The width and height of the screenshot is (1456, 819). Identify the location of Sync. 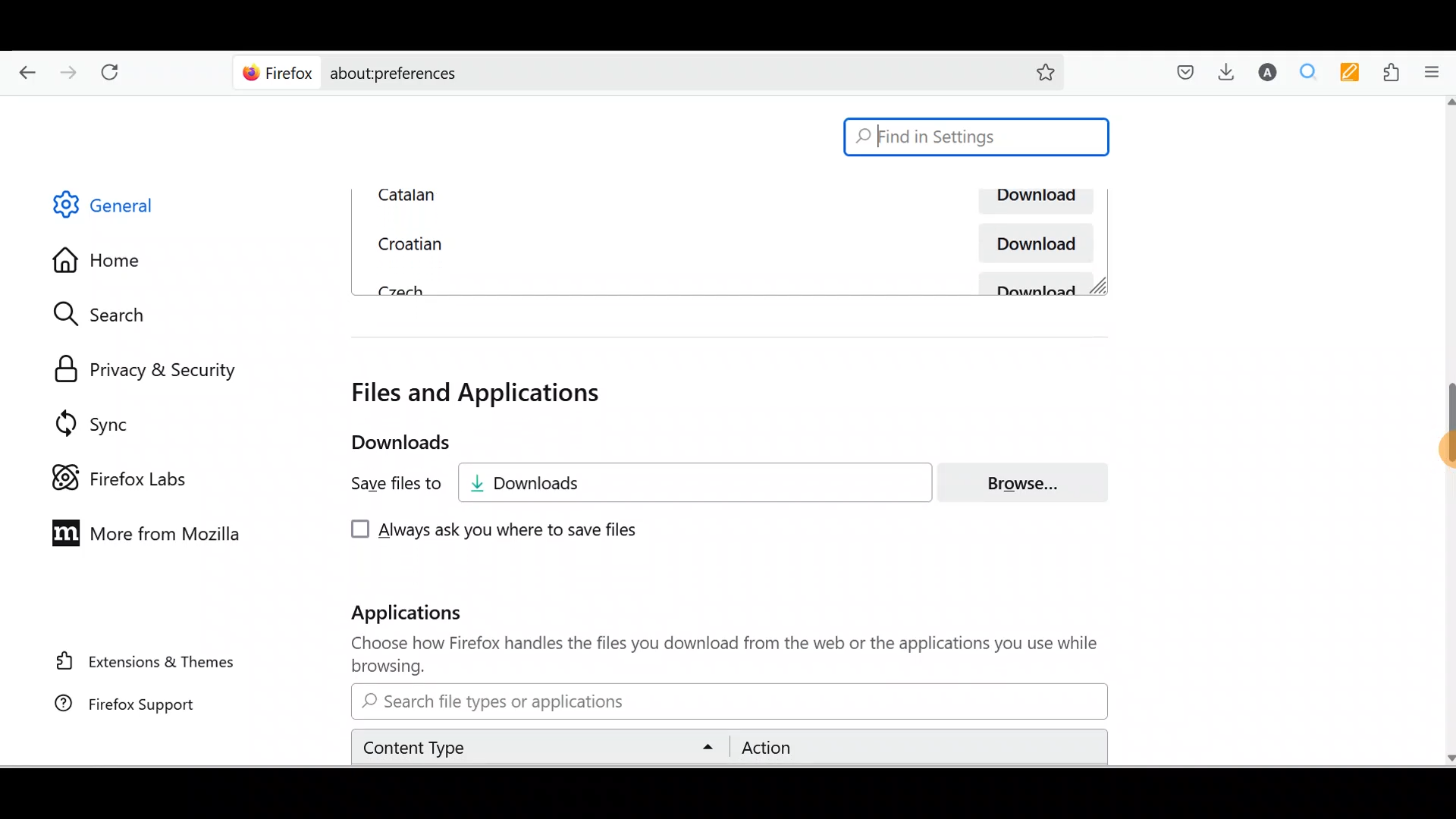
(86, 418).